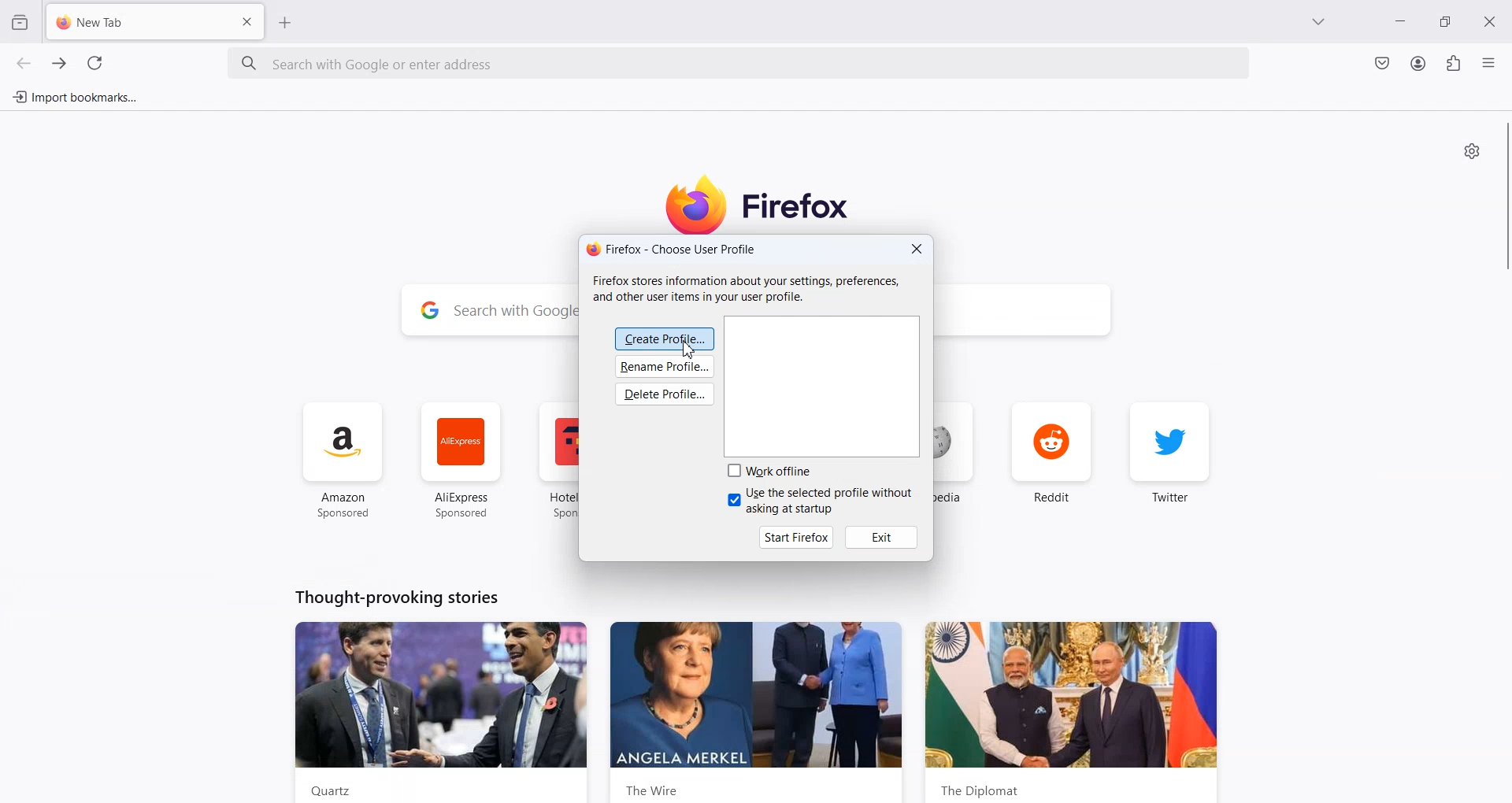 The width and height of the screenshot is (1512, 803). I want to click on Personalize new tab , so click(1472, 150).